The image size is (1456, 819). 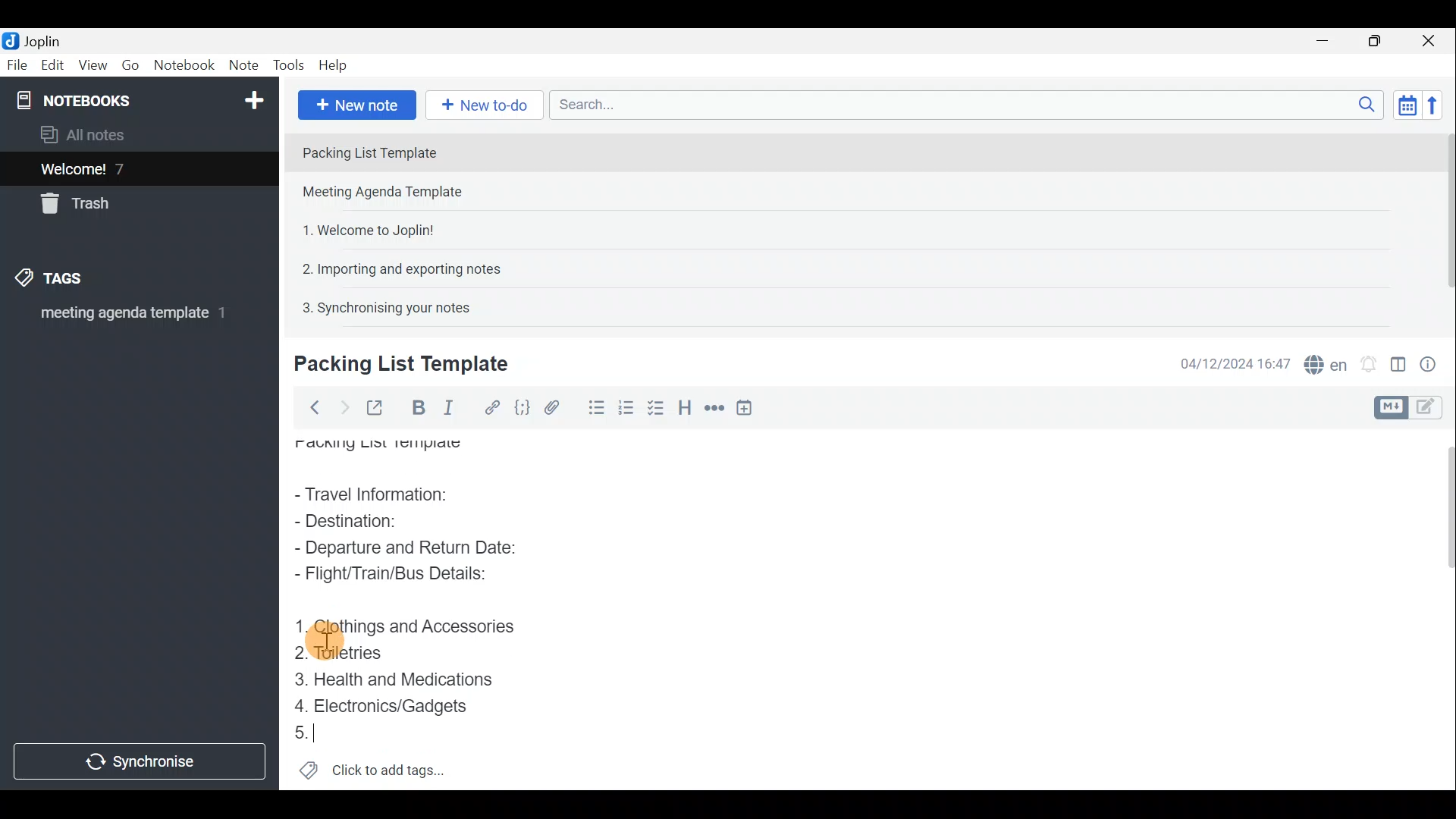 I want to click on Welcome, so click(x=116, y=168).